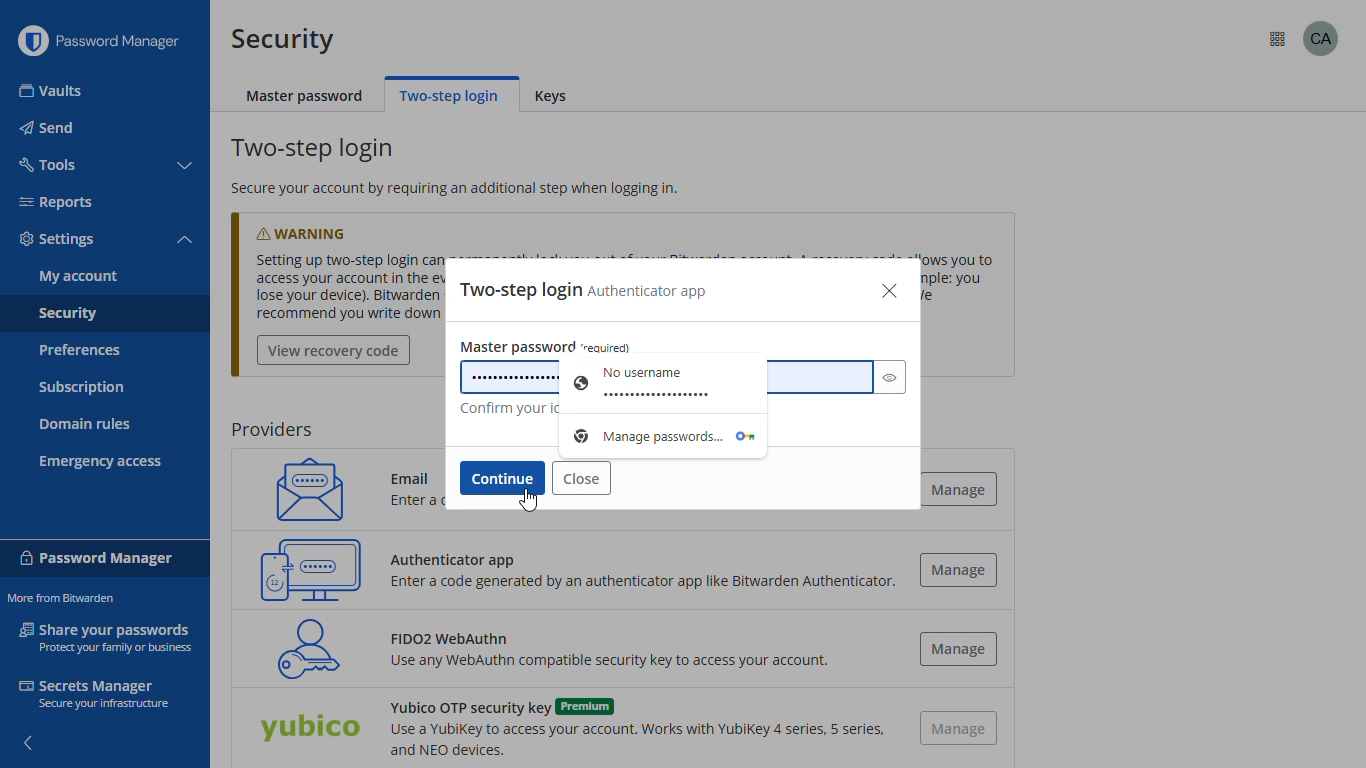 The width and height of the screenshot is (1366, 768). I want to click on keys, so click(557, 97).